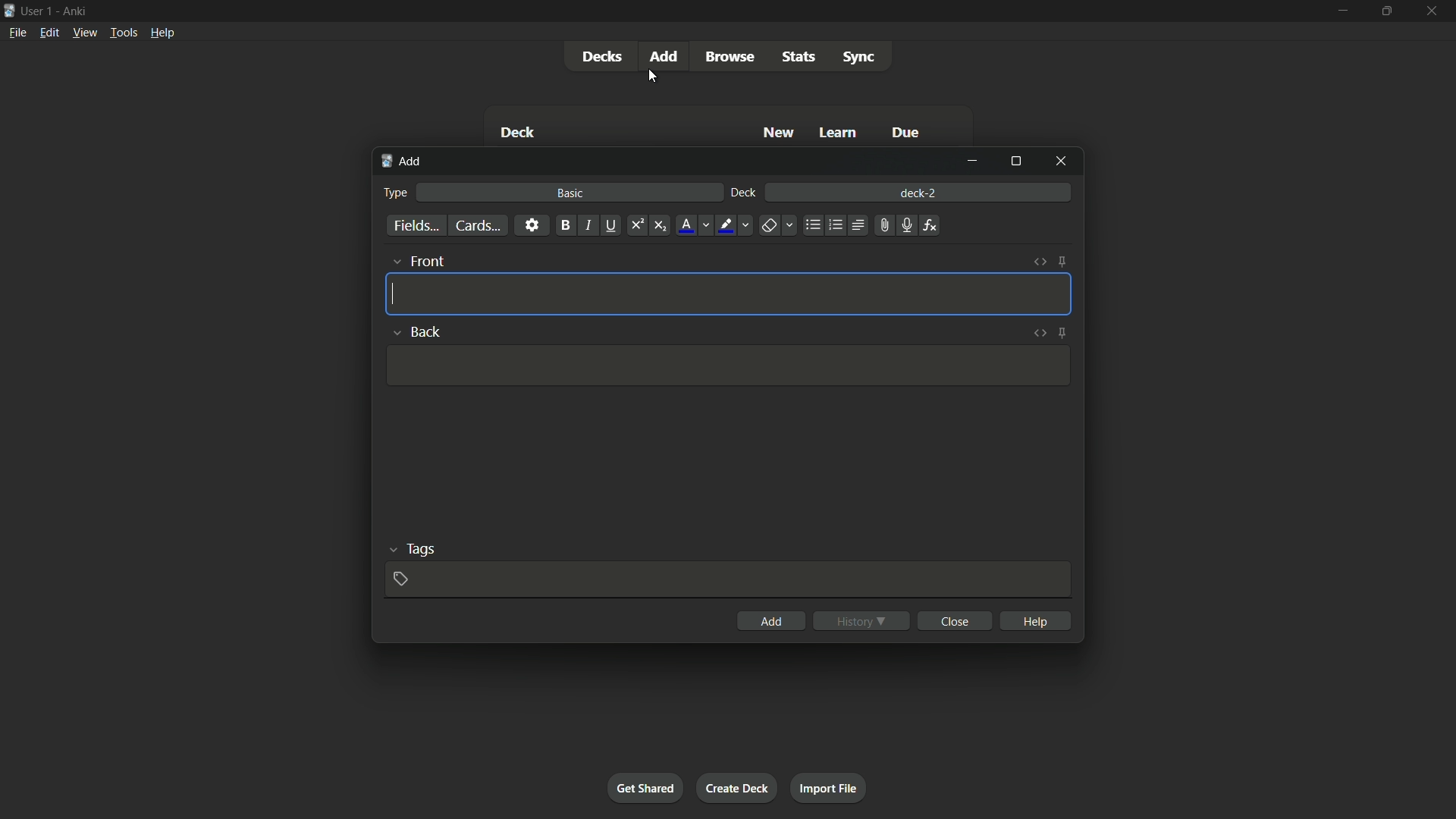 This screenshot has width=1456, height=819. Describe the element at coordinates (976, 162) in the screenshot. I see `minimize` at that location.